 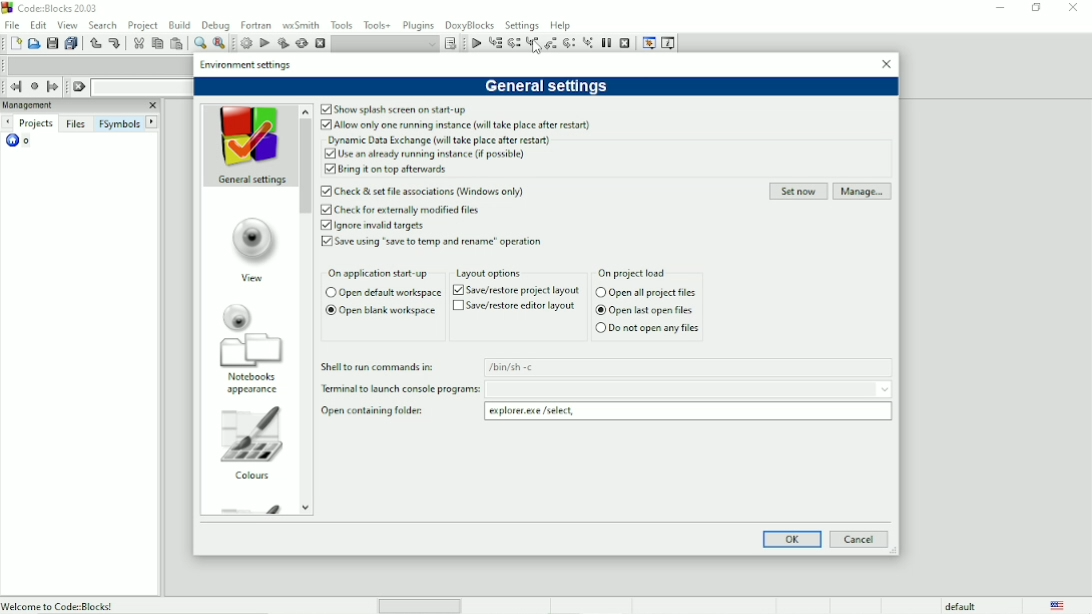 I want to click on On project load, so click(x=638, y=272).